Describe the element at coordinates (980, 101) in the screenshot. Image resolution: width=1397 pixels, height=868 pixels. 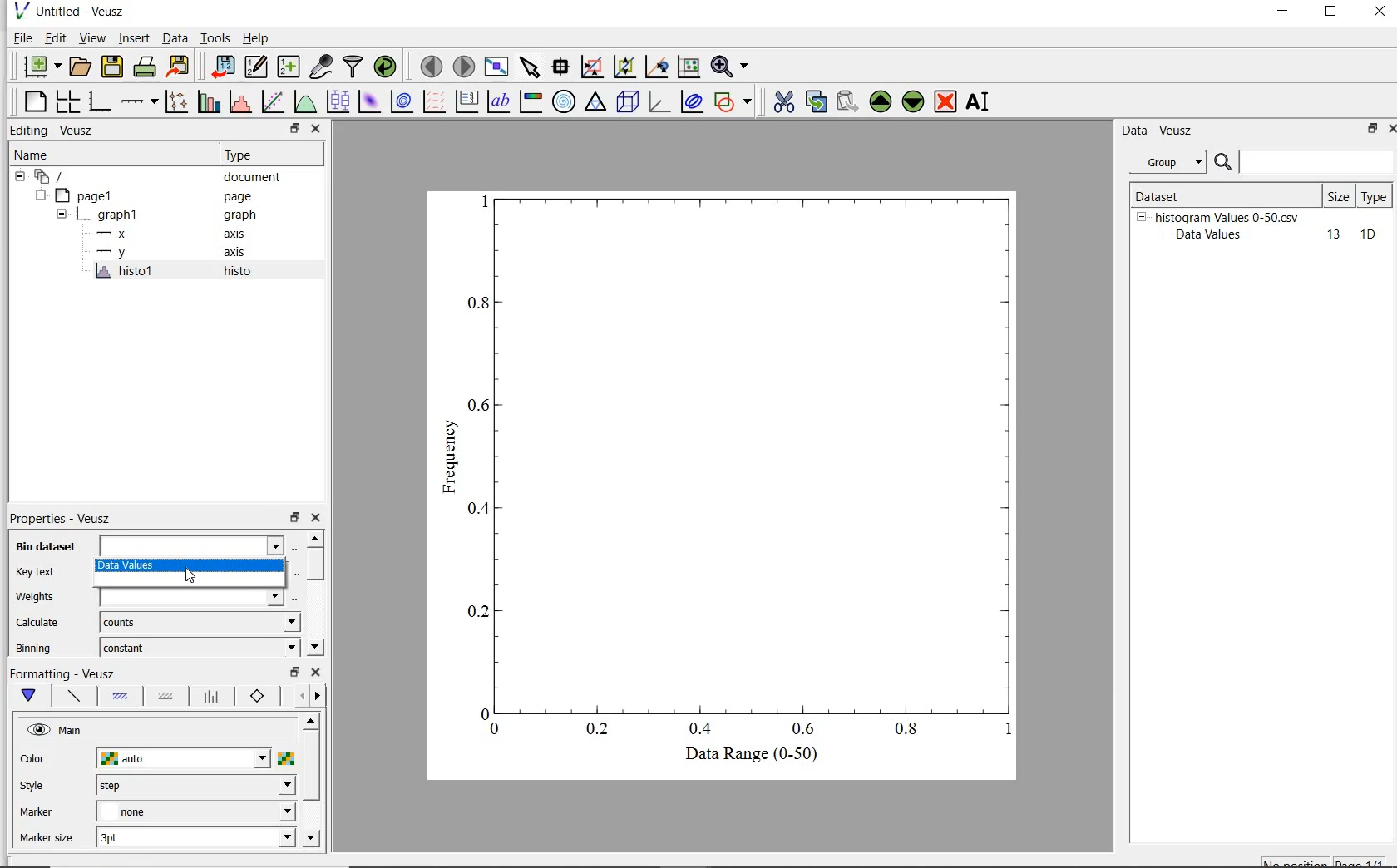
I see `rename the selected widget` at that location.